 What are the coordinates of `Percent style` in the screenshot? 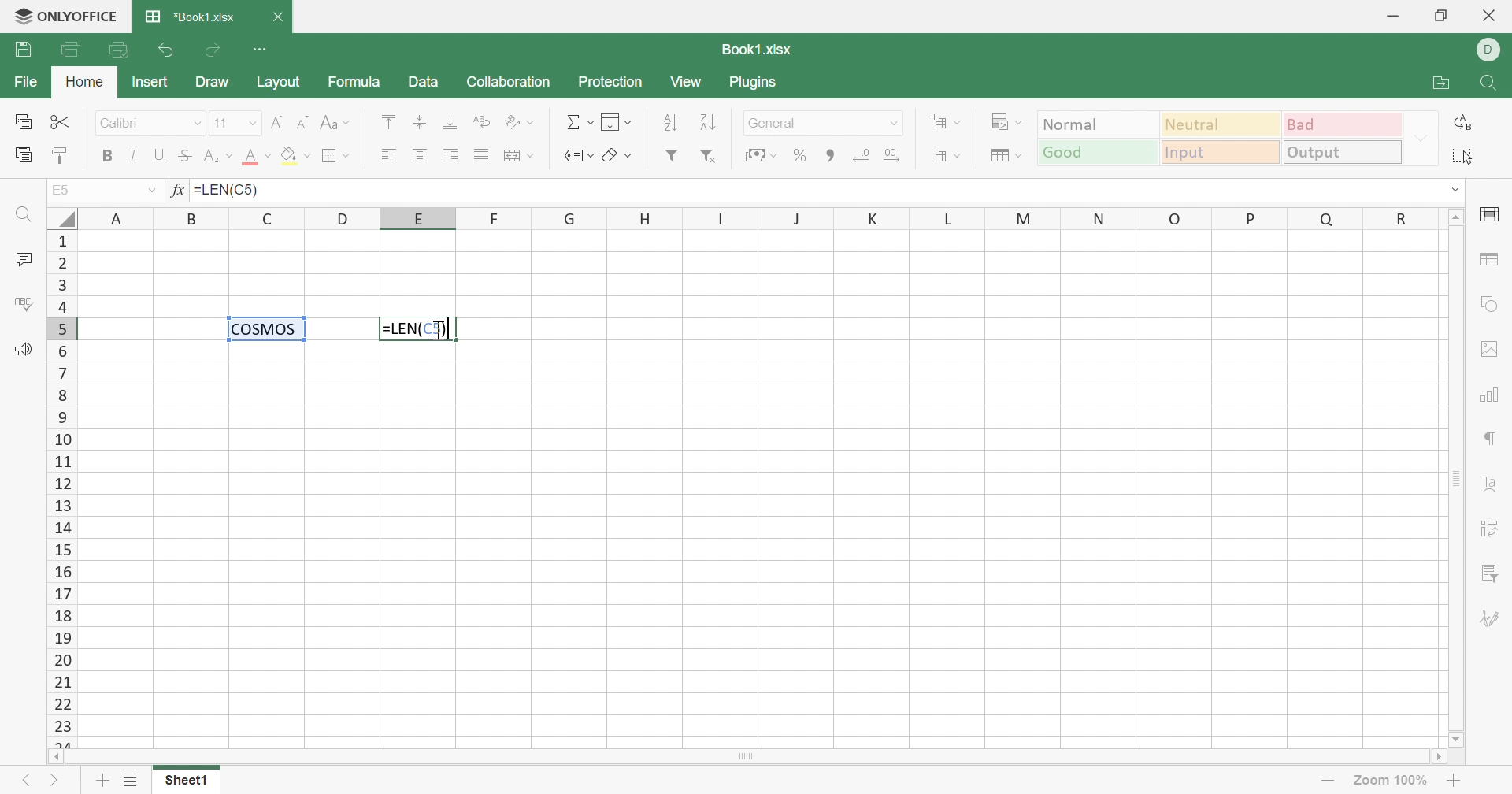 It's located at (801, 156).